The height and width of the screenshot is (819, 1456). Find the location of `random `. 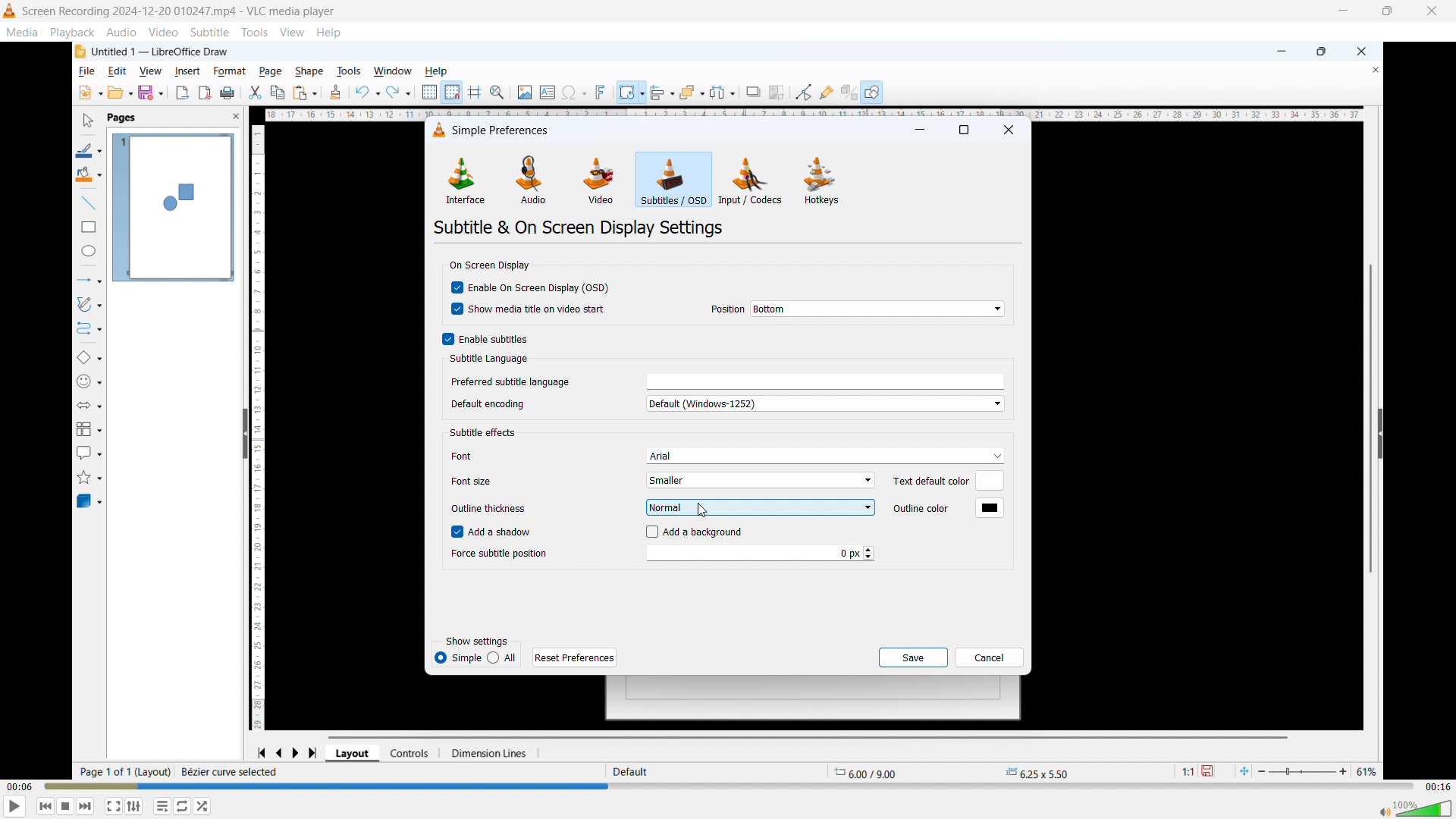

random  is located at coordinates (202, 806).